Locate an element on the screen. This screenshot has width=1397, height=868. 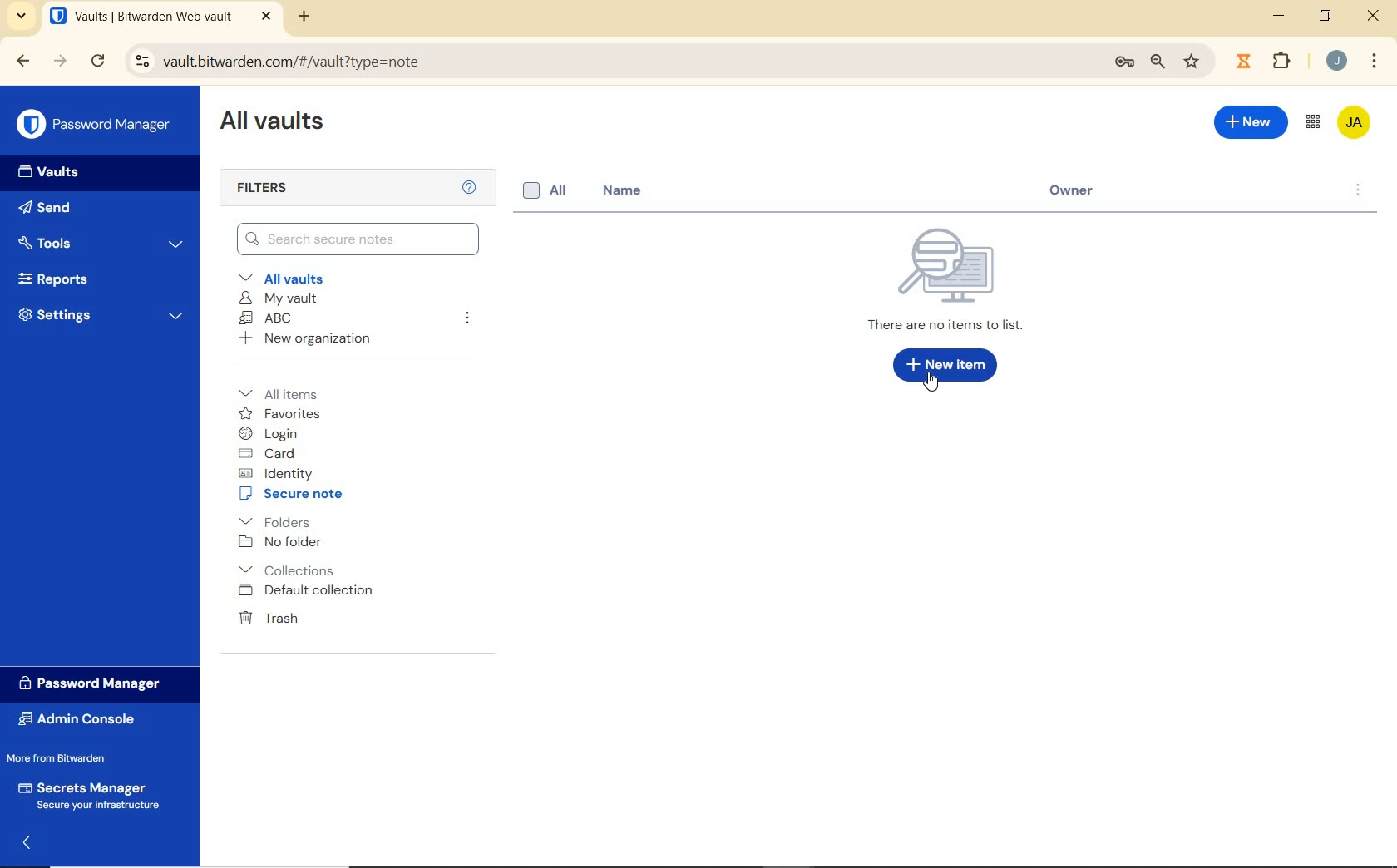
login is located at coordinates (271, 433).